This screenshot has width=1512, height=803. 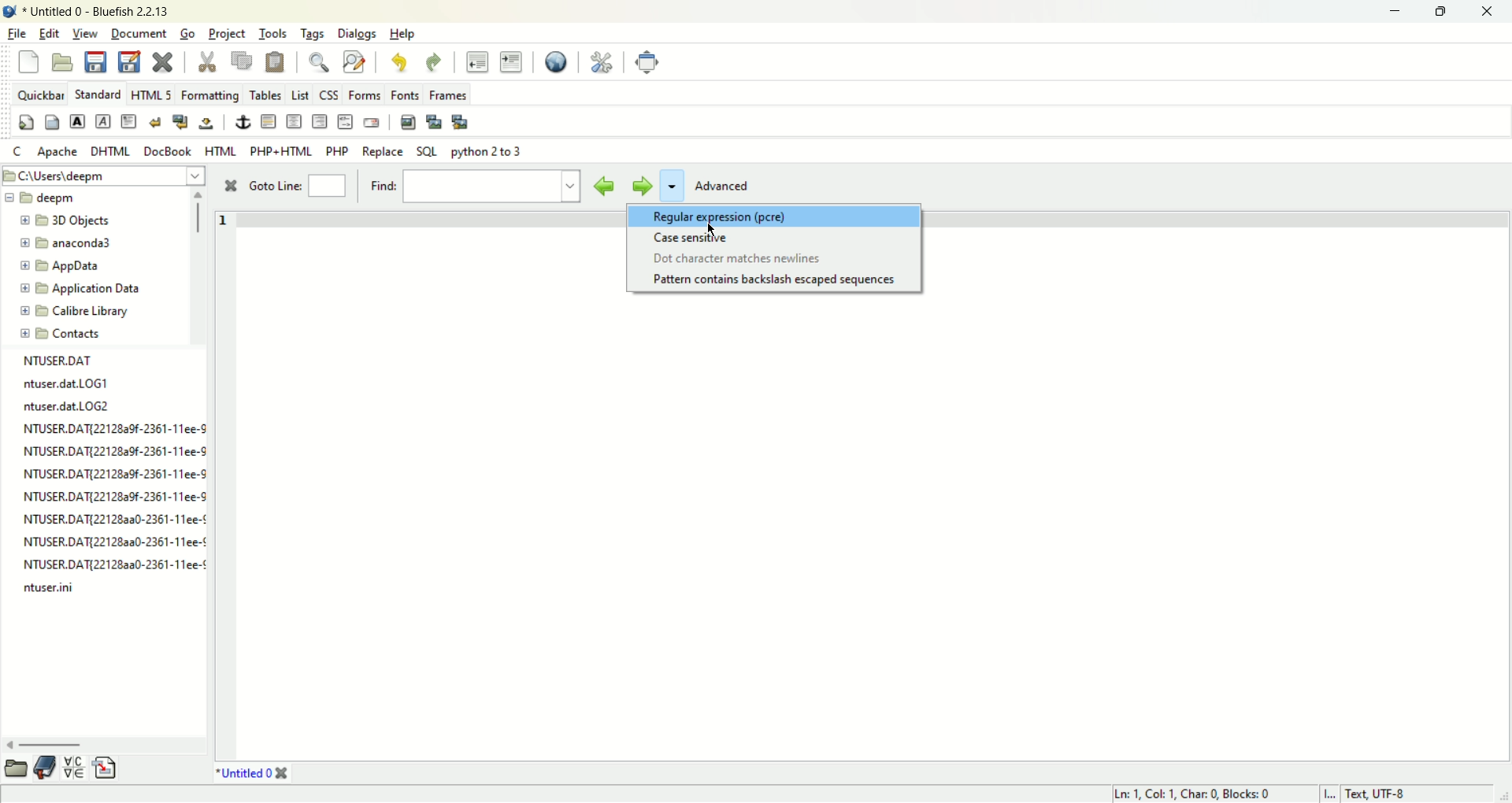 What do you see at coordinates (1440, 12) in the screenshot?
I see `maximize` at bounding box center [1440, 12].